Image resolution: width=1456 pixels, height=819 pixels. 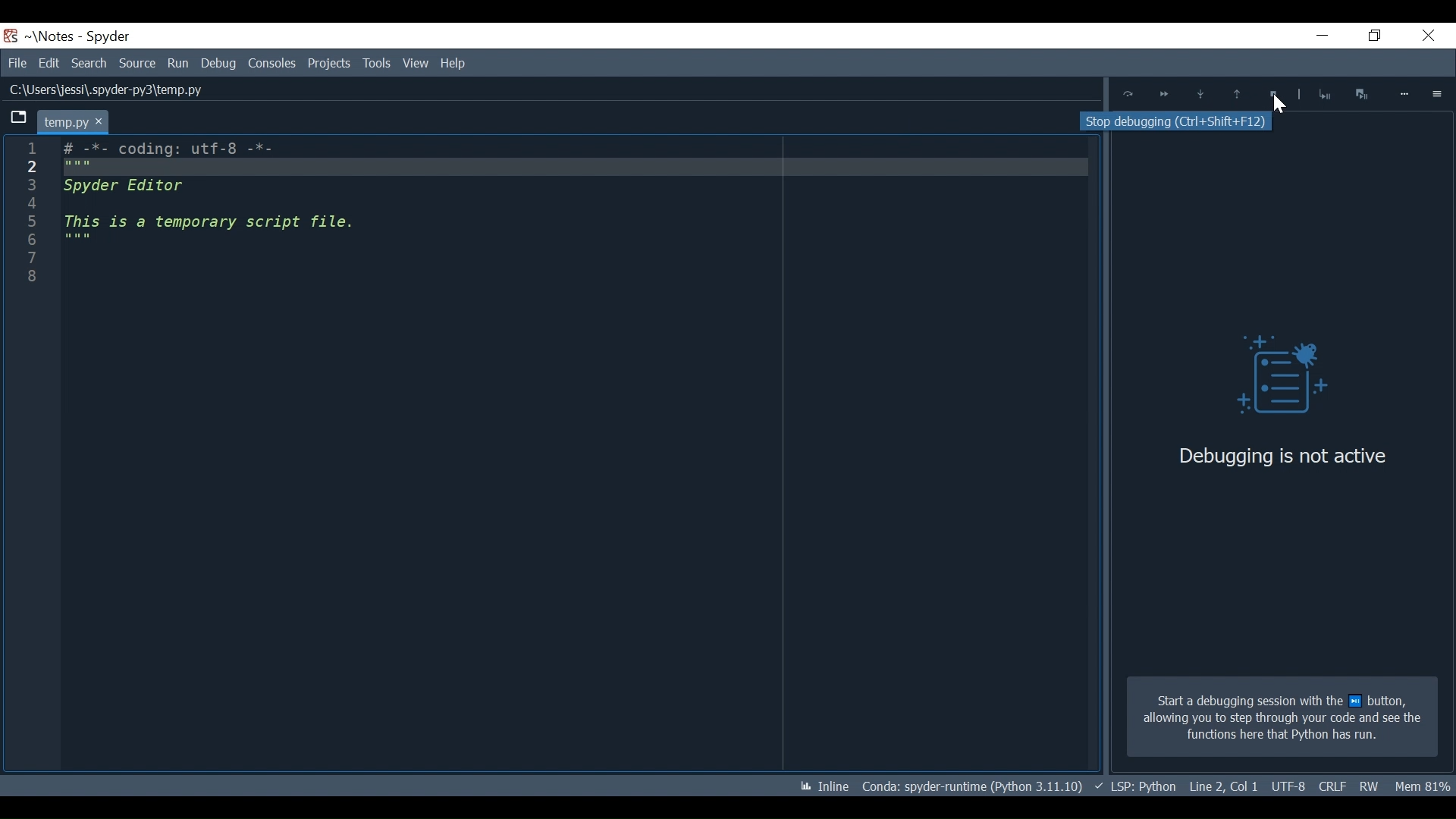 What do you see at coordinates (455, 62) in the screenshot?
I see `Help` at bounding box center [455, 62].